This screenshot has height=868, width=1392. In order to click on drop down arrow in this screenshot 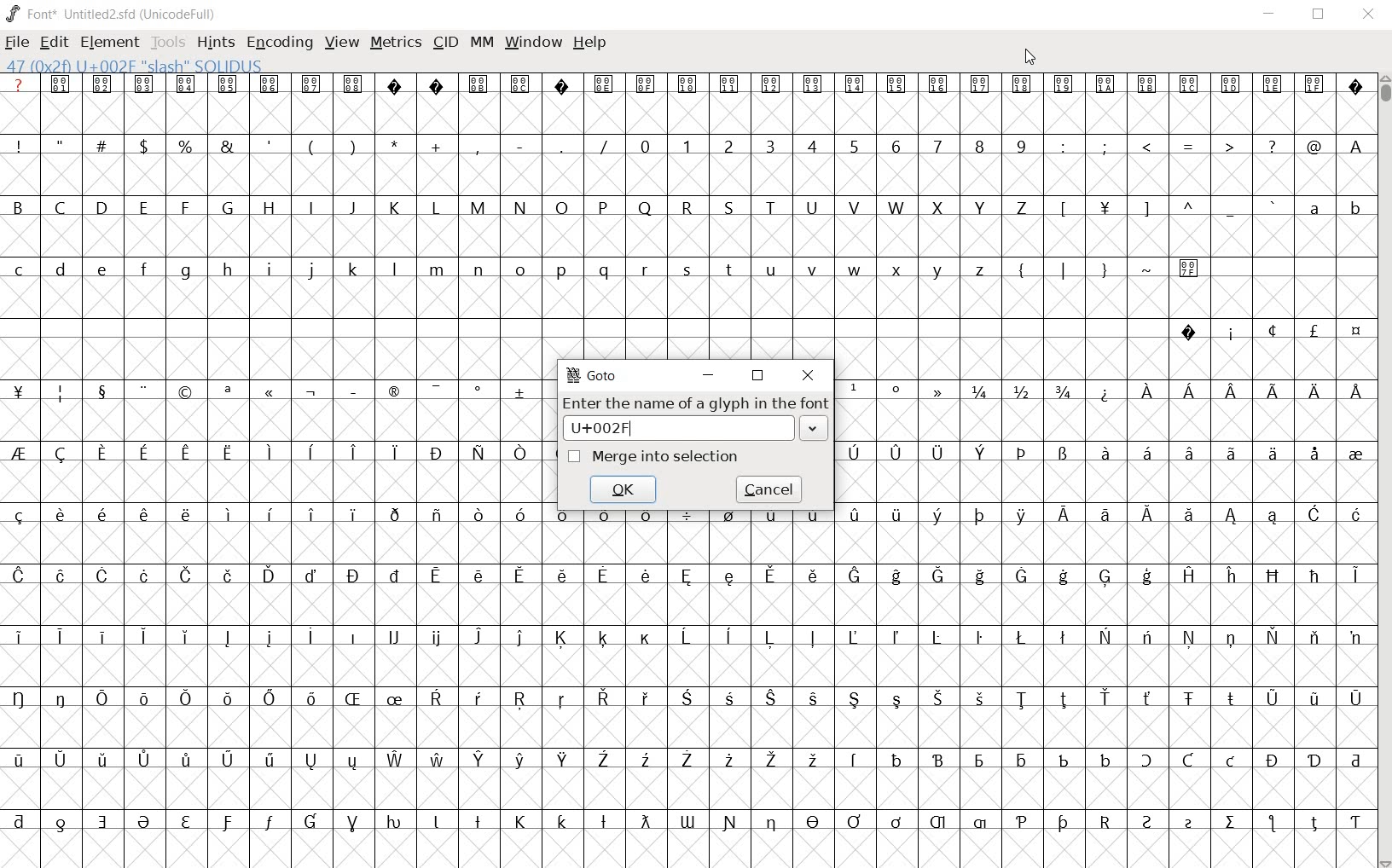, I will do `click(812, 429)`.